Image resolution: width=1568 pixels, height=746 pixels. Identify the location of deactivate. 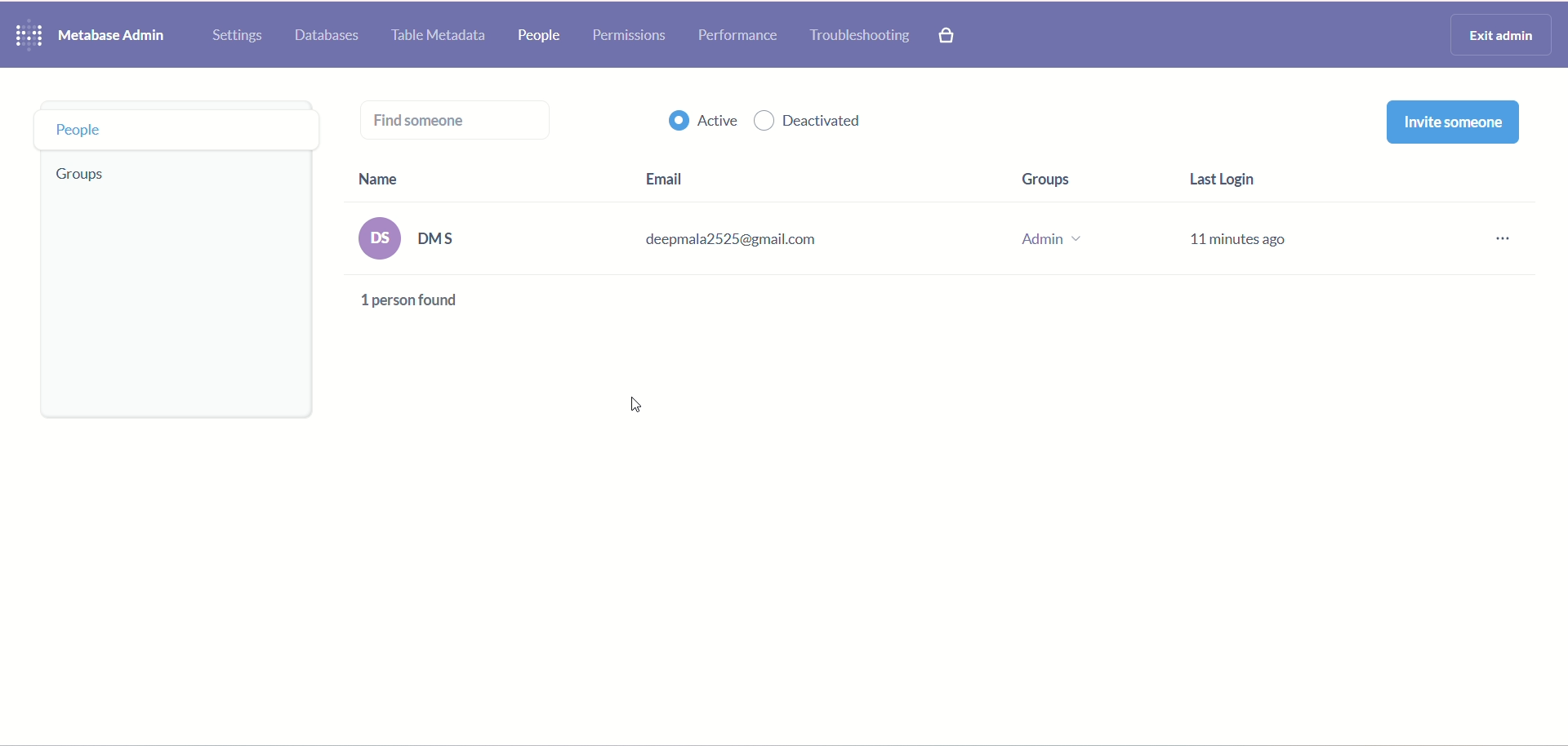
(809, 125).